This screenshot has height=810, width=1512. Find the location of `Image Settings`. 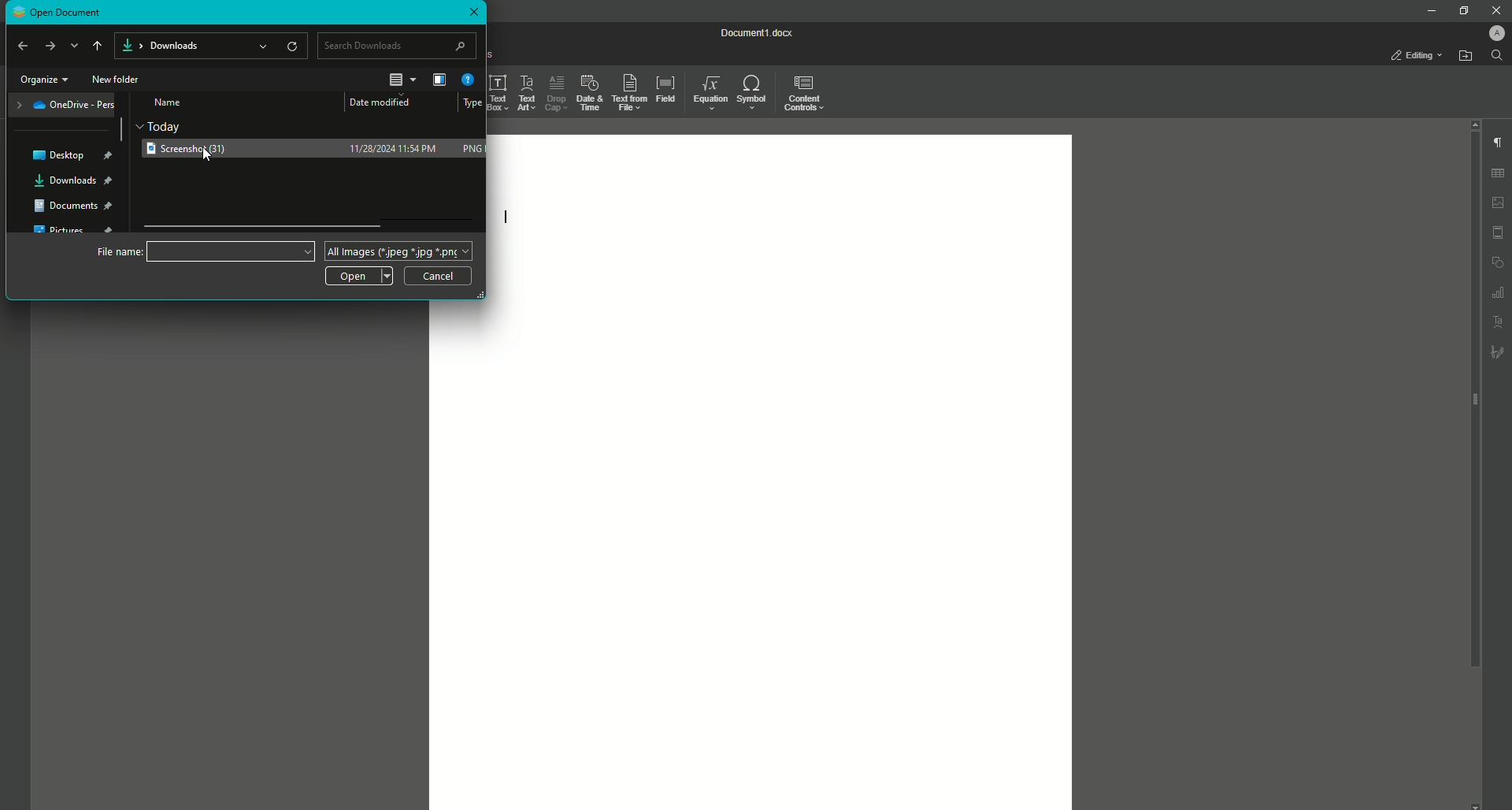

Image Settings is located at coordinates (1499, 202).